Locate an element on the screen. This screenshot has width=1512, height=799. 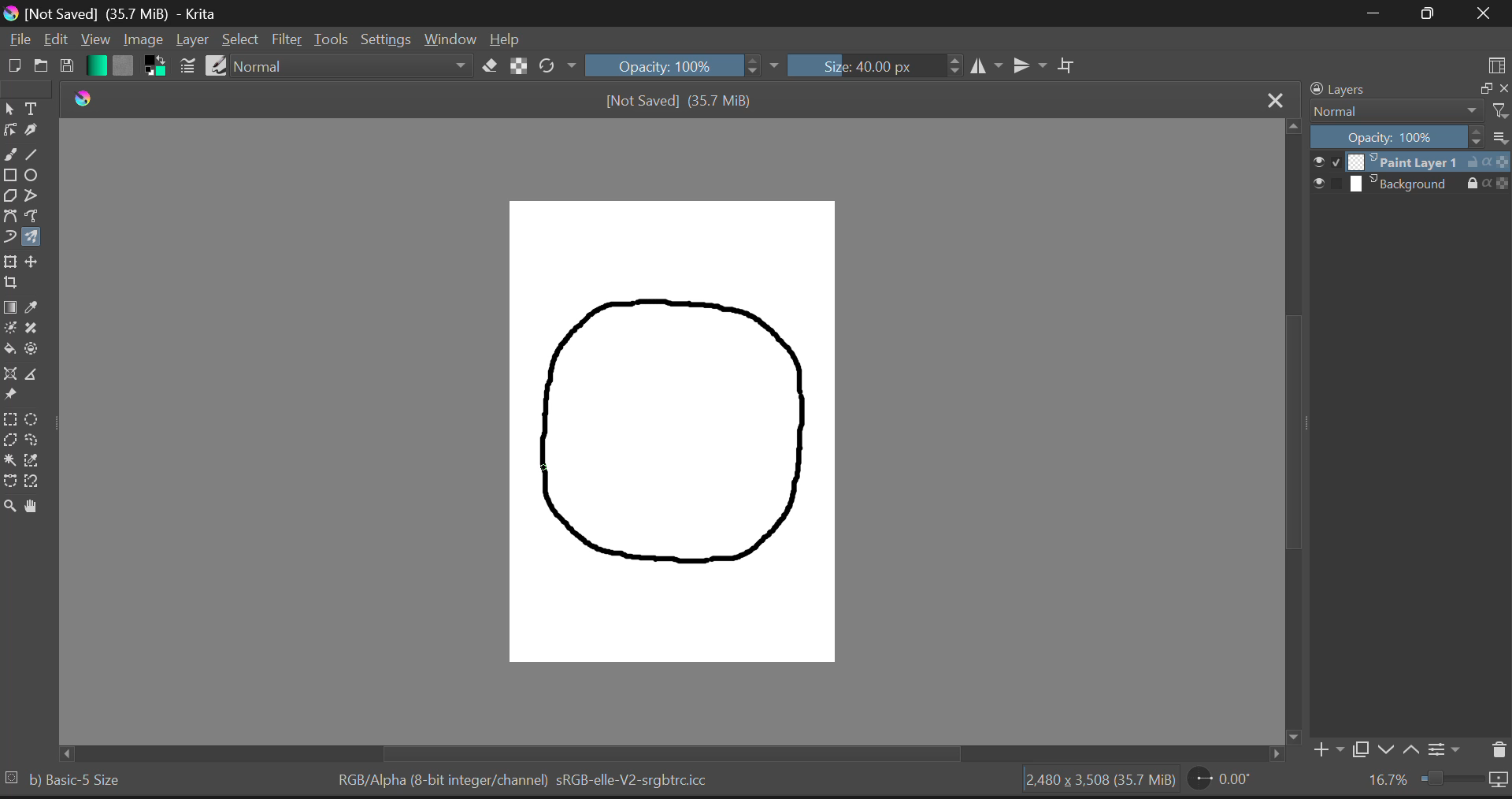
Brush Settings is located at coordinates (187, 65).